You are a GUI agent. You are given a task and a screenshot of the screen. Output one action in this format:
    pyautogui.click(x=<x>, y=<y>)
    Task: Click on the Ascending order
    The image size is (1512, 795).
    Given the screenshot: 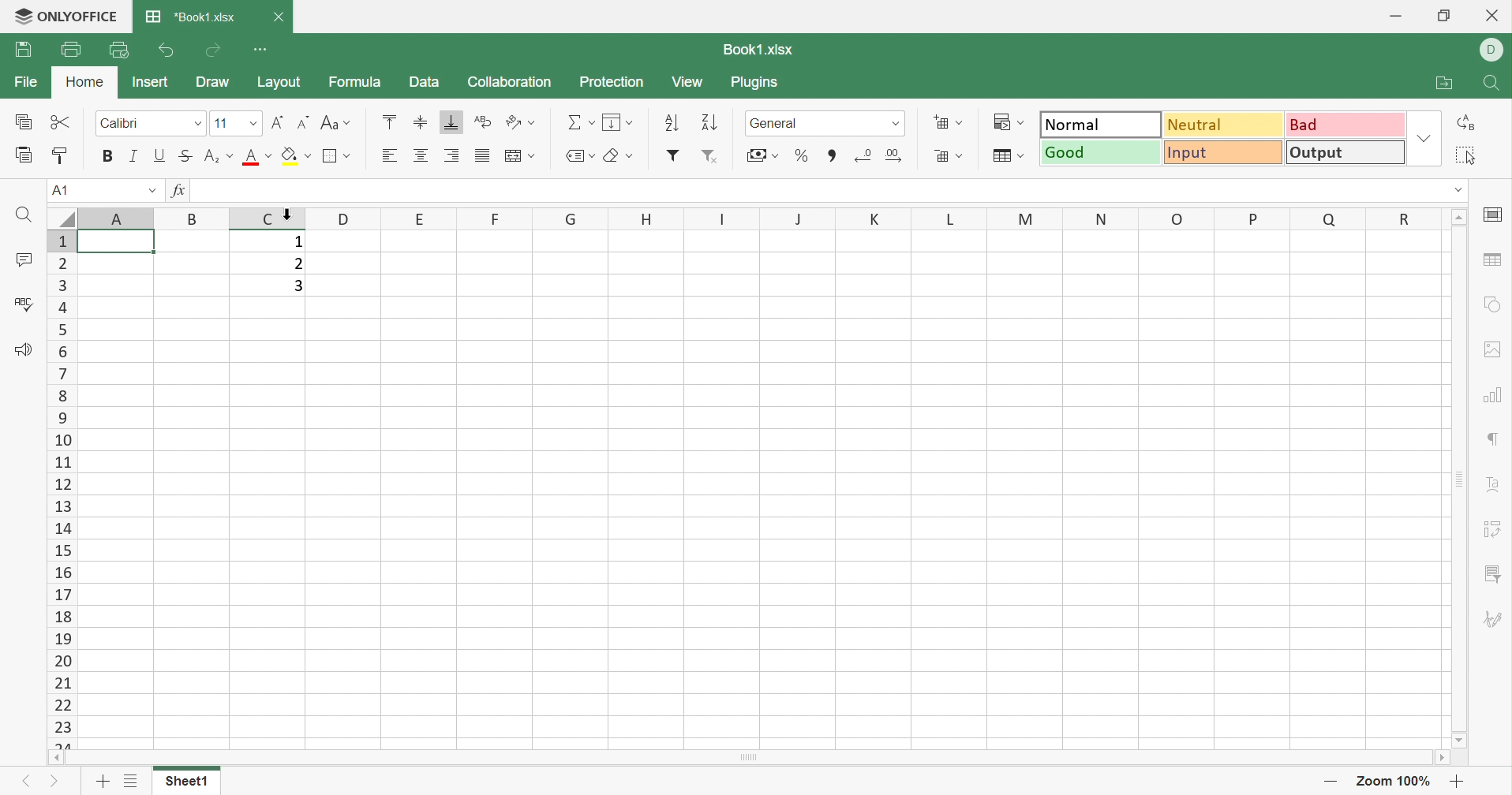 What is the action you would take?
    pyautogui.click(x=671, y=121)
    